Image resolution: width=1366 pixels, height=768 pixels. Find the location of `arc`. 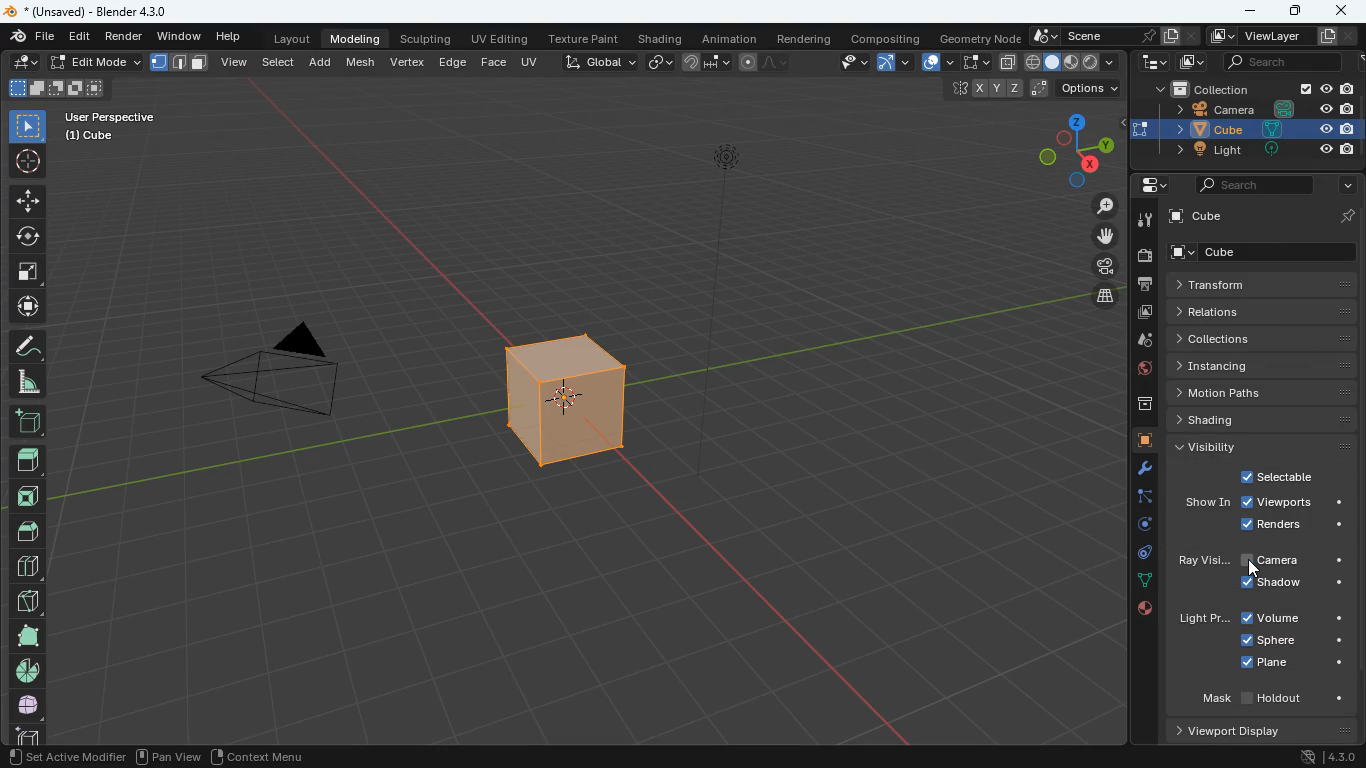

arc is located at coordinates (893, 65).